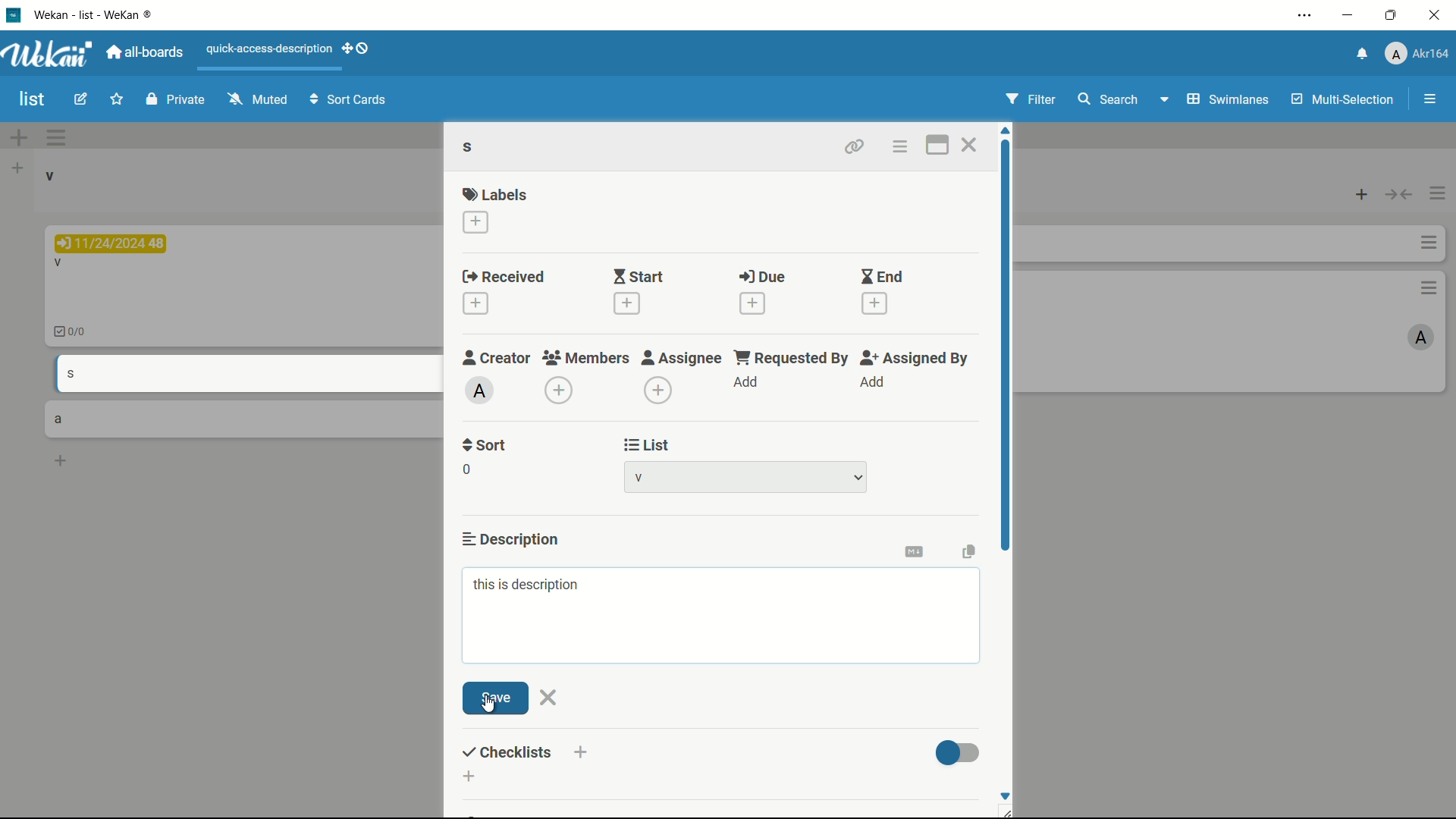 This screenshot has width=1456, height=819. Describe the element at coordinates (558, 391) in the screenshot. I see `add member` at that location.